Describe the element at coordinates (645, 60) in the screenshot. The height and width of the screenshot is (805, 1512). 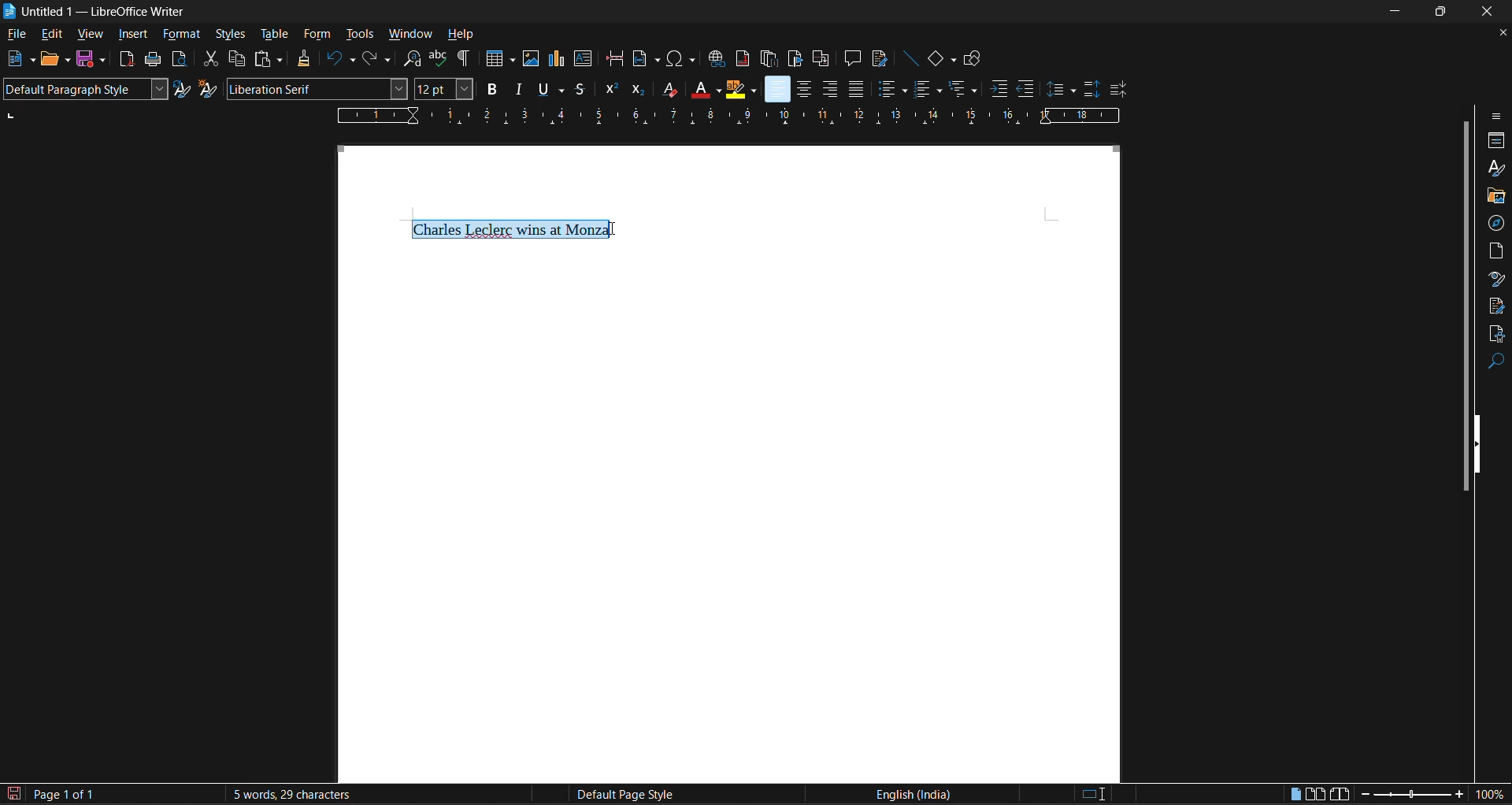
I see `insert field` at that location.